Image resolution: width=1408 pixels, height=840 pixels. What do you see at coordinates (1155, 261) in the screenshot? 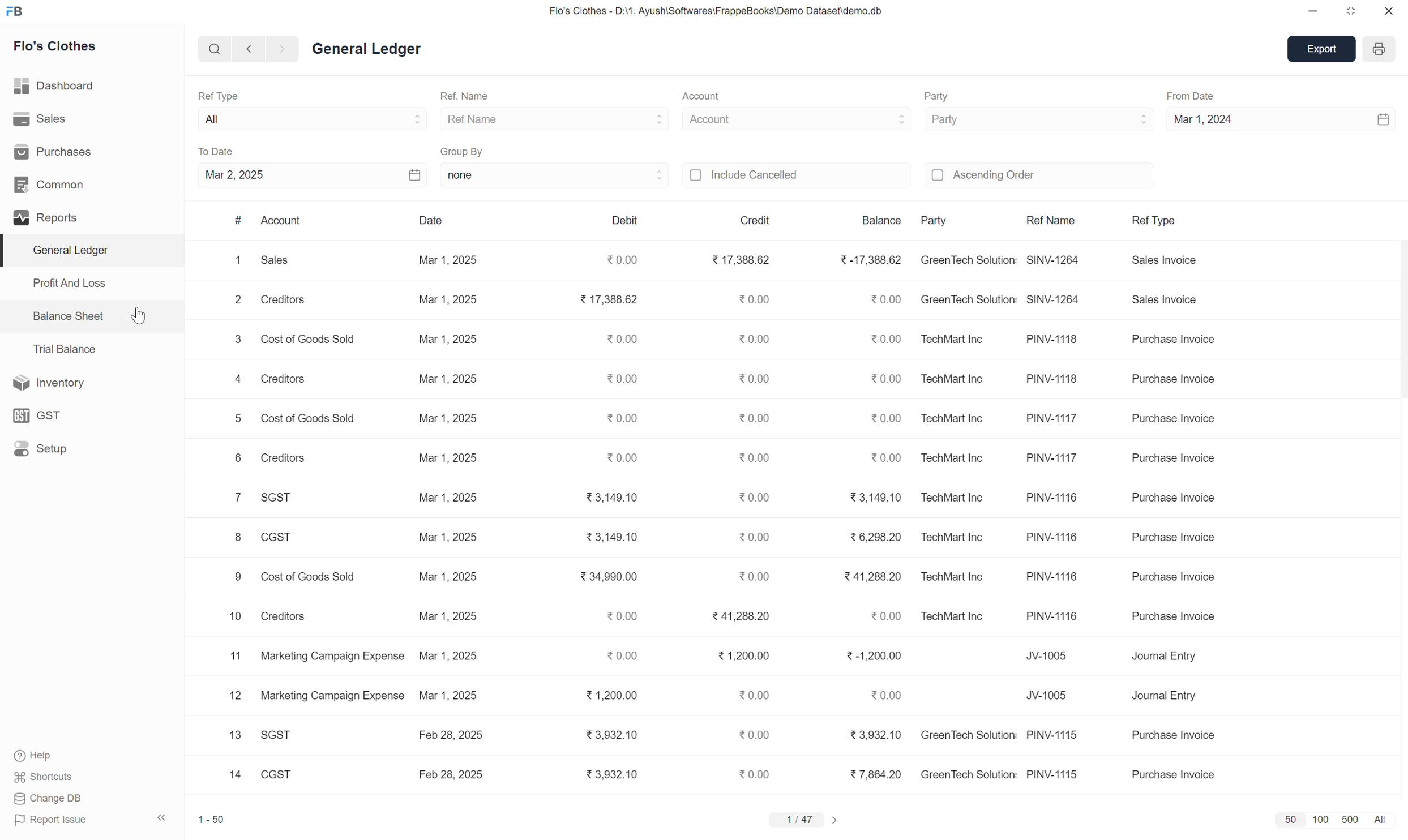
I see `Sales invoice` at bounding box center [1155, 261].